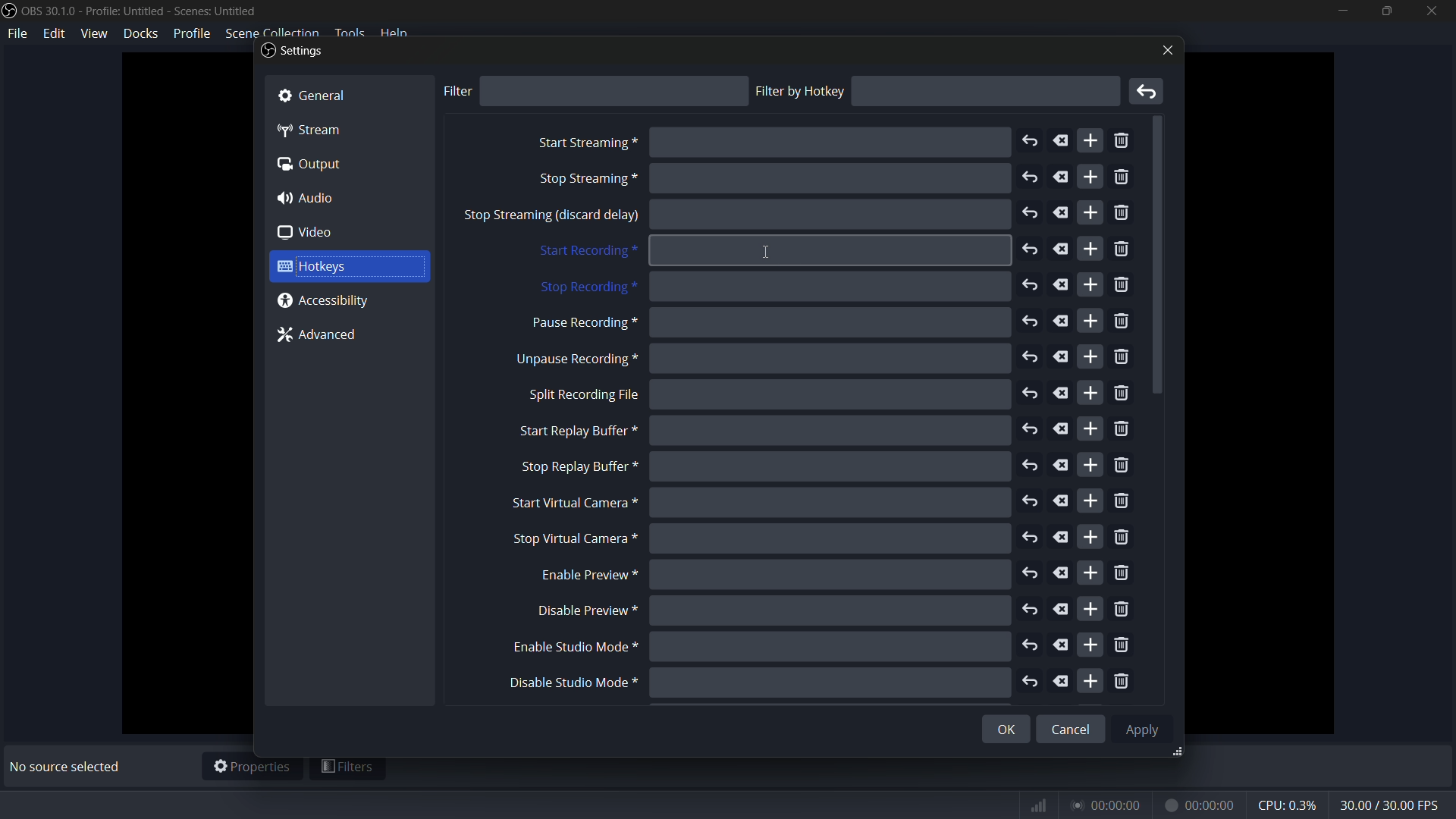 The image size is (1456, 819). What do you see at coordinates (1028, 142) in the screenshot?
I see `undo` at bounding box center [1028, 142].